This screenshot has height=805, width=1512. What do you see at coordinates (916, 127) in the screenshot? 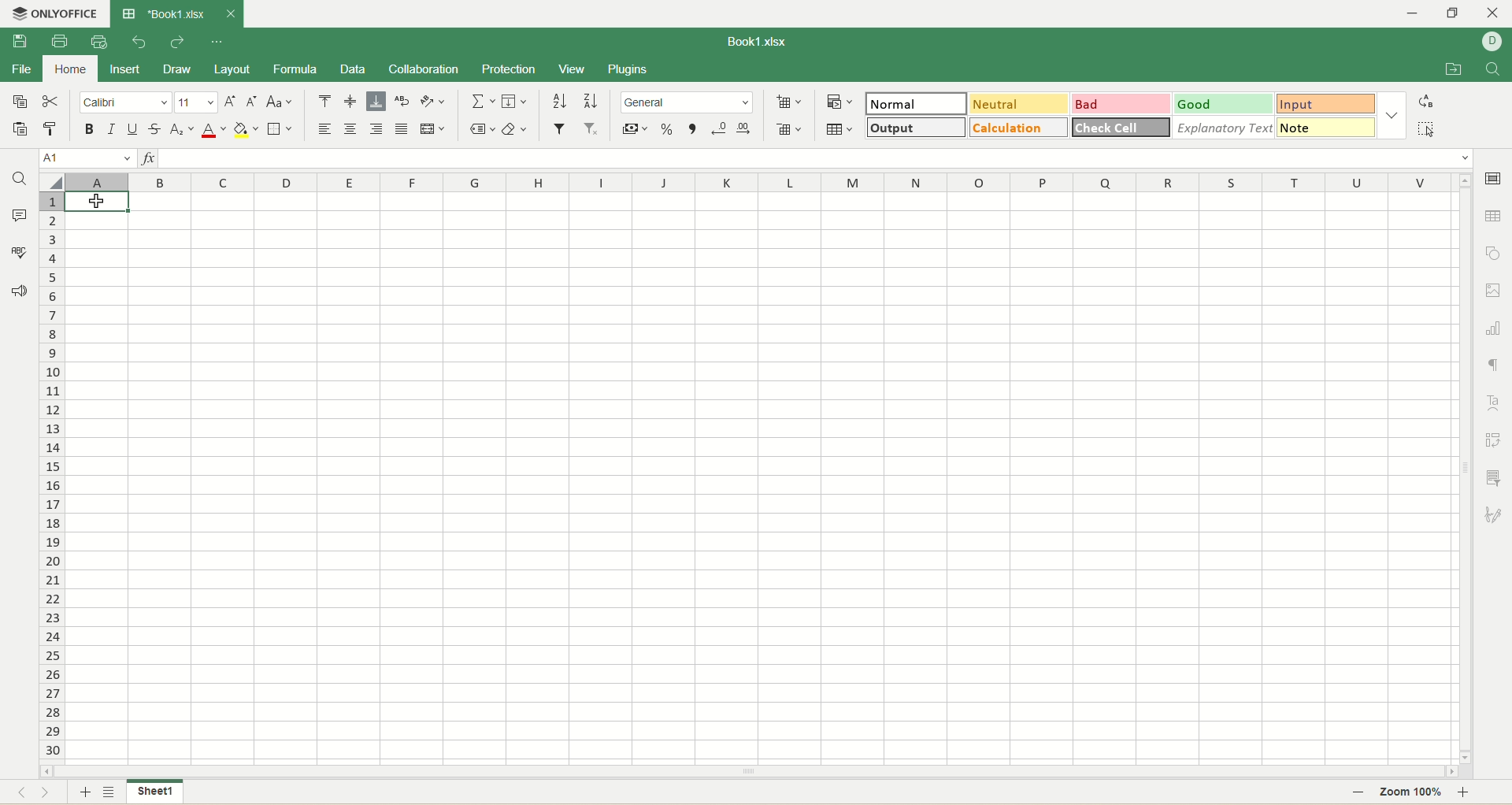
I see `output` at bounding box center [916, 127].